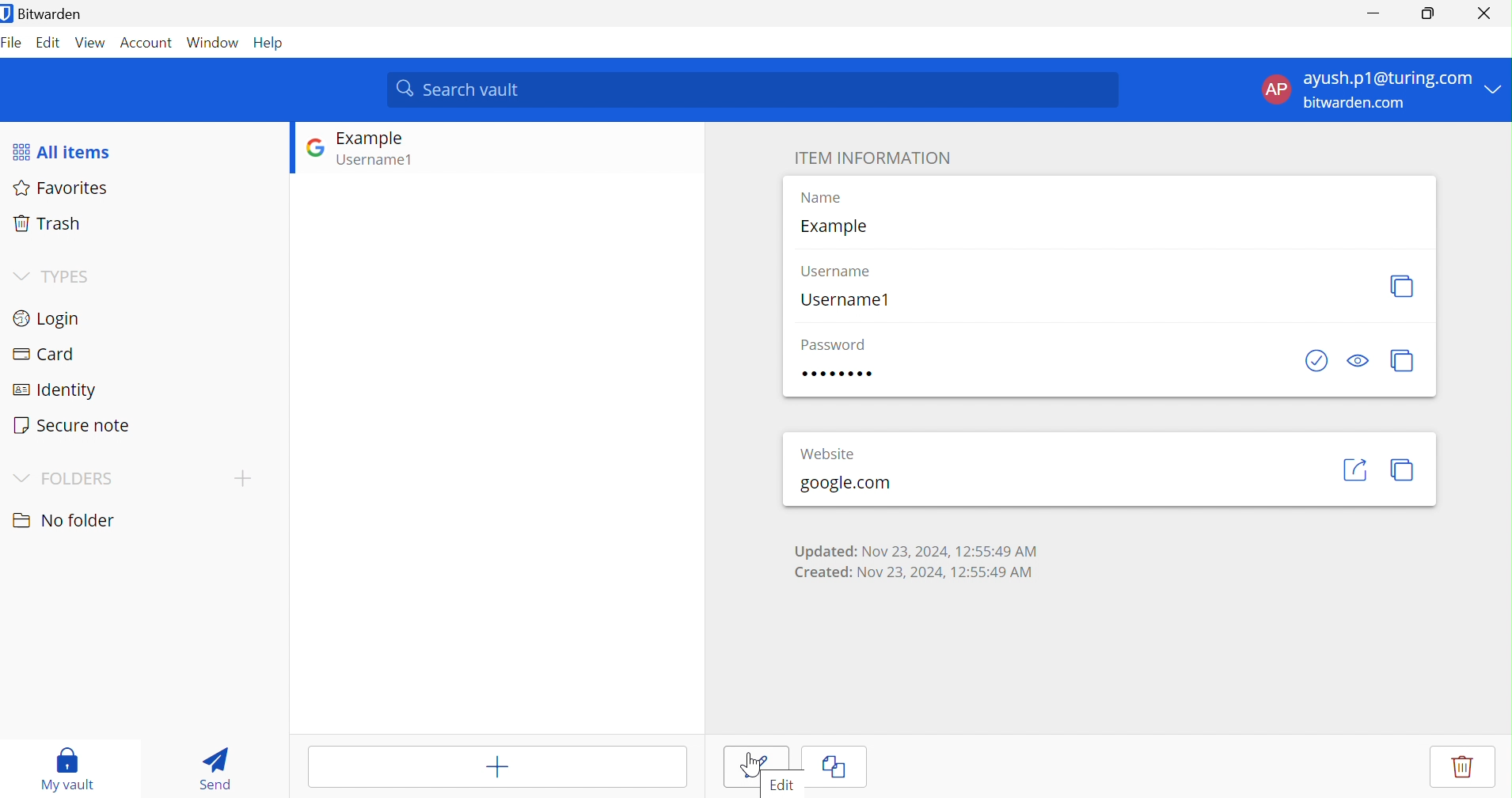  What do you see at coordinates (756, 766) in the screenshot?
I see `Edit` at bounding box center [756, 766].